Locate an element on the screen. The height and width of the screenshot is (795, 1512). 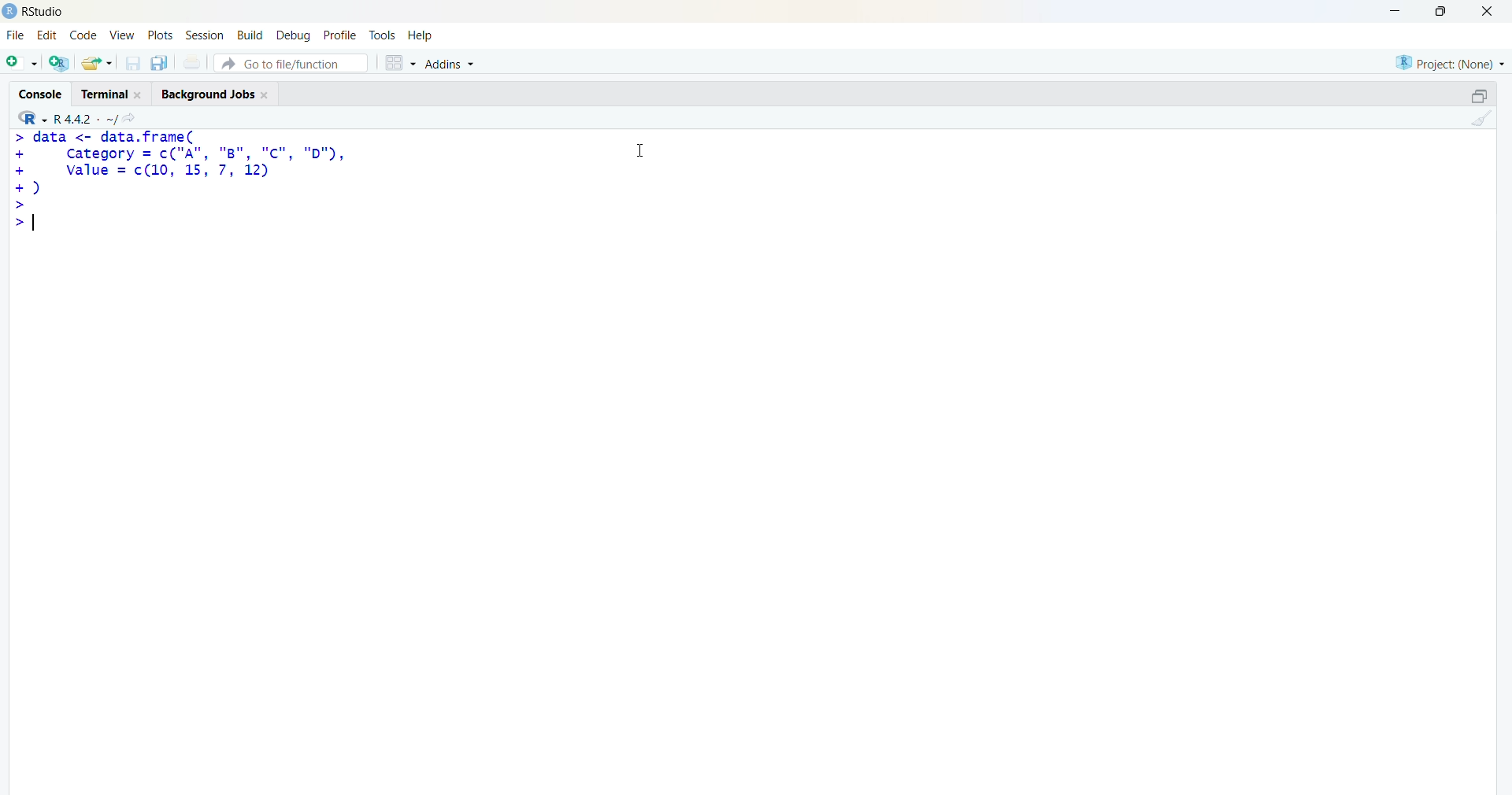
View is located at coordinates (123, 35).